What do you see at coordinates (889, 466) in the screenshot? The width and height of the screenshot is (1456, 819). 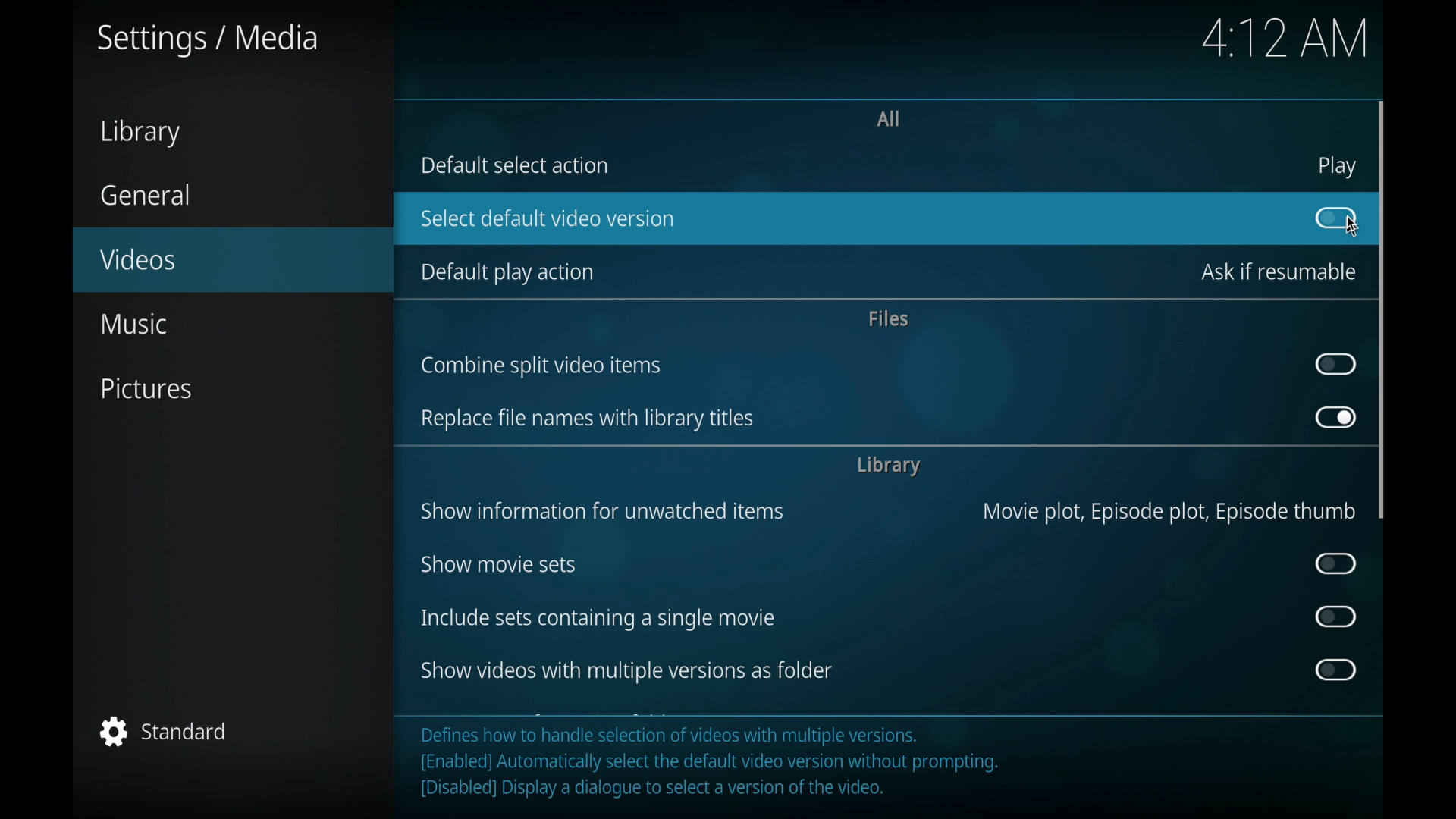 I see `library` at bounding box center [889, 466].